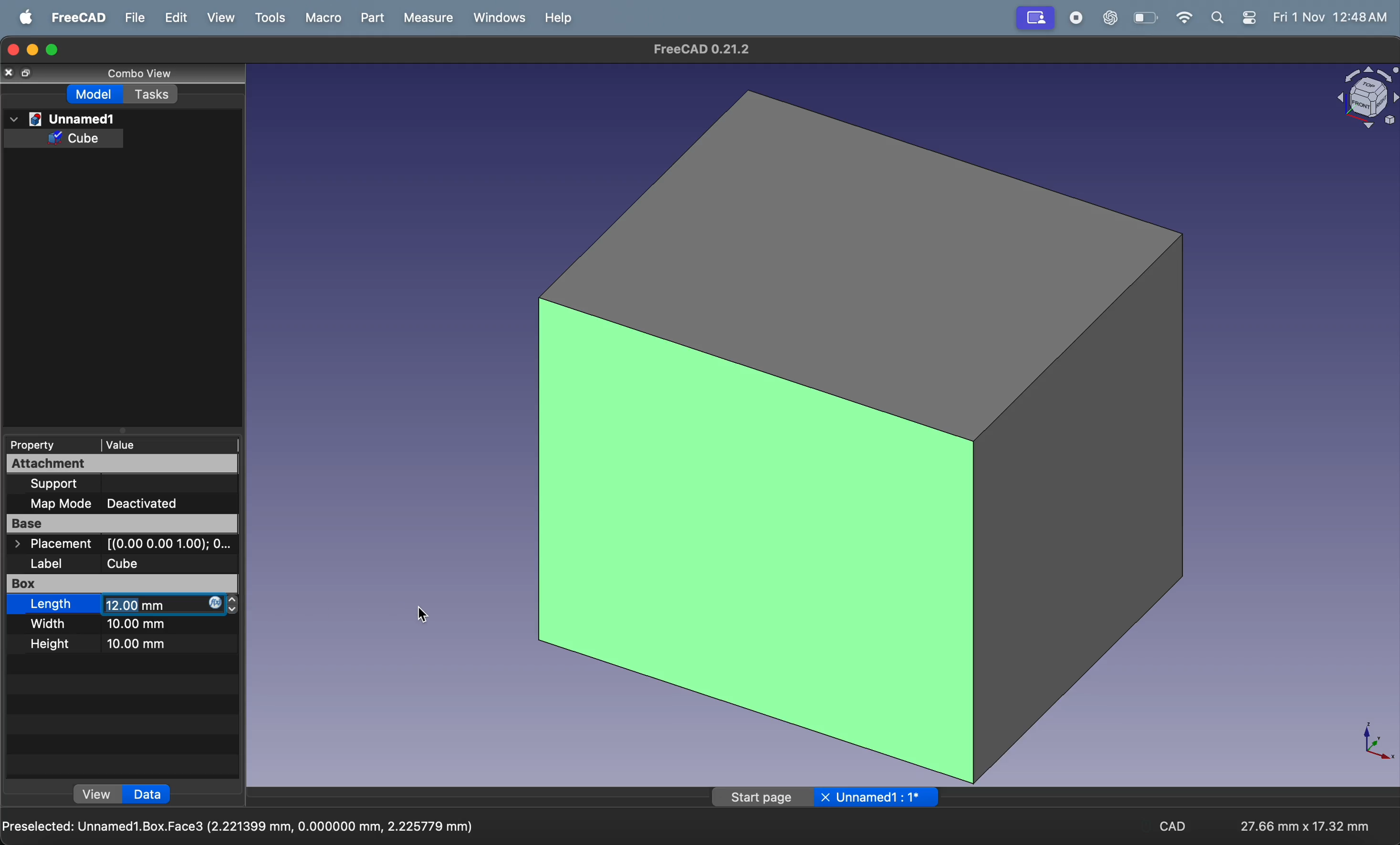  What do you see at coordinates (424, 614) in the screenshot?
I see `cursor` at bounding box center [424, 614].